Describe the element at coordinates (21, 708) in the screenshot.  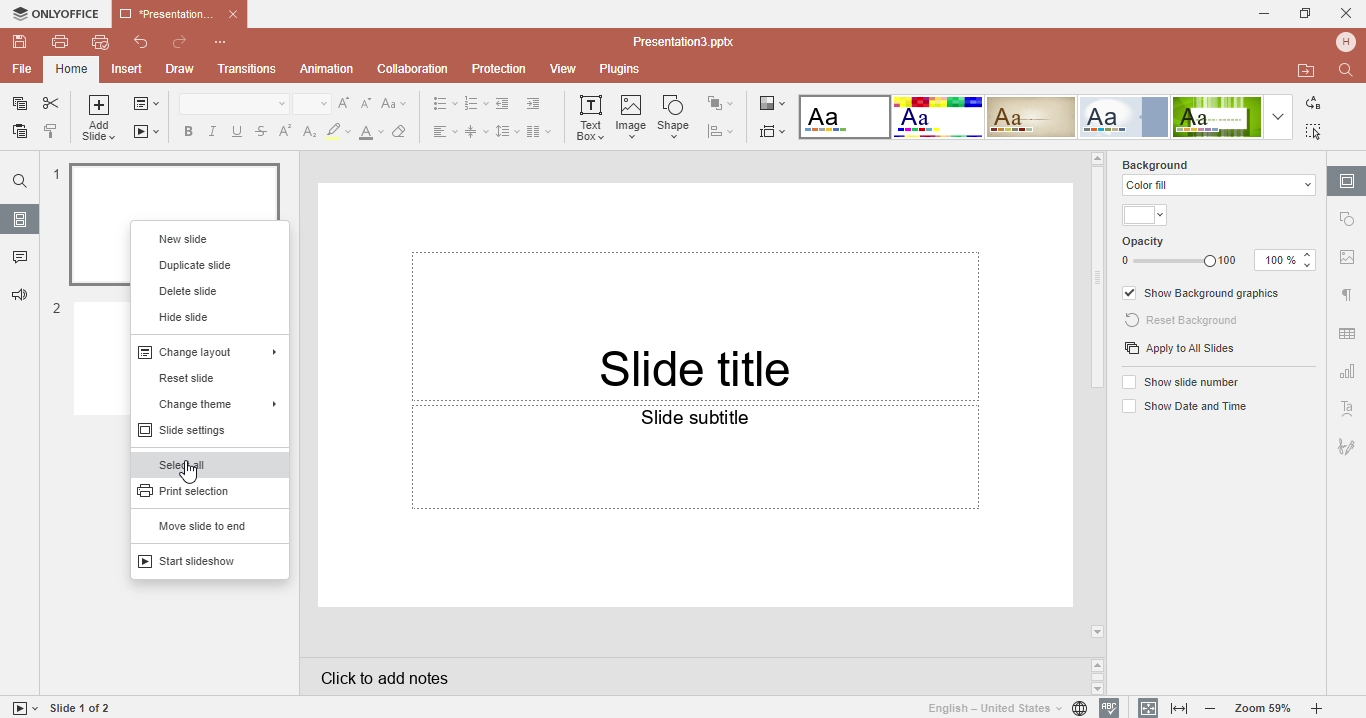
I see `Start slide show` at that location.